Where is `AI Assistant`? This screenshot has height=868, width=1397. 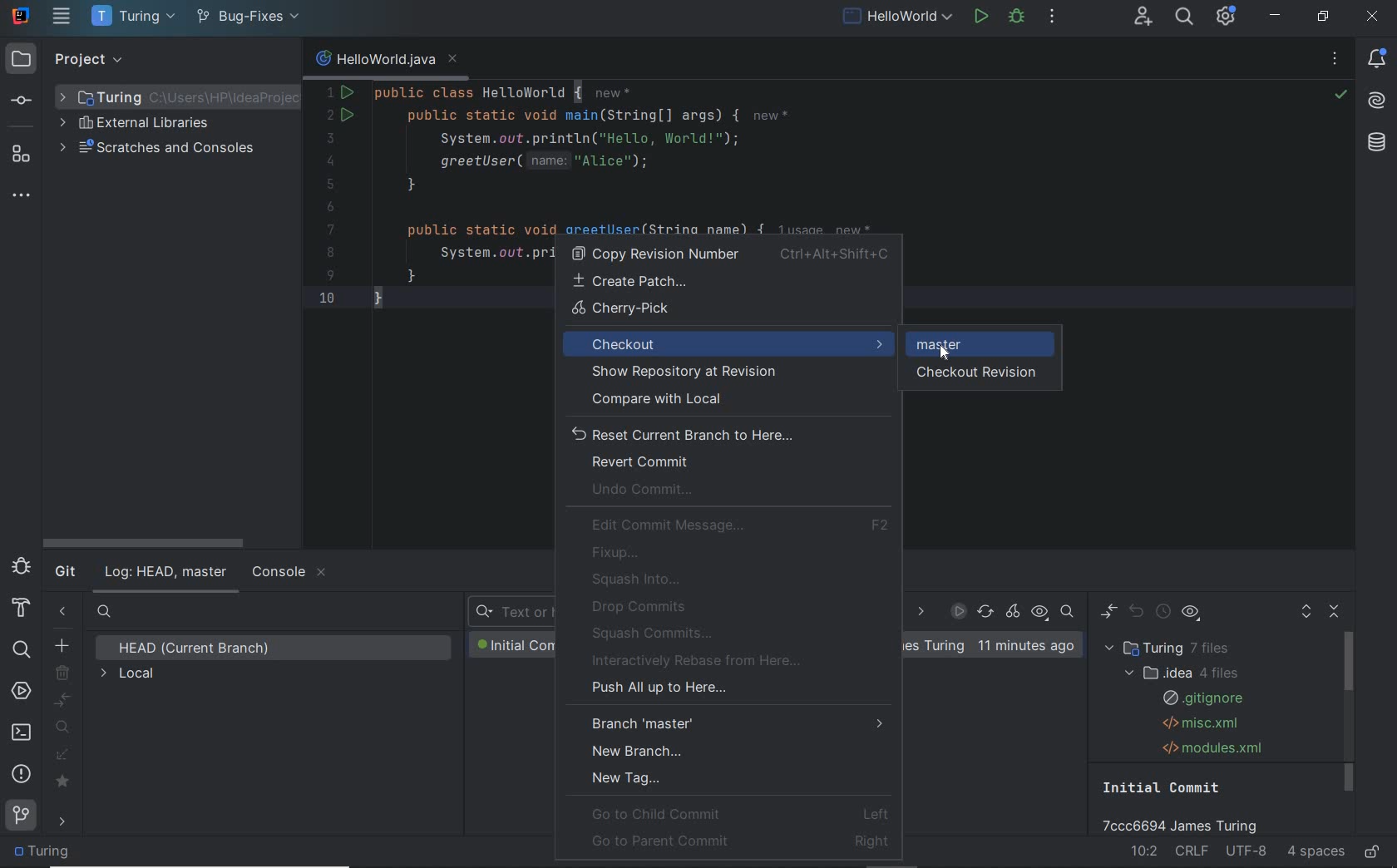 AI Assistant is located at coordinates (1377, 99).